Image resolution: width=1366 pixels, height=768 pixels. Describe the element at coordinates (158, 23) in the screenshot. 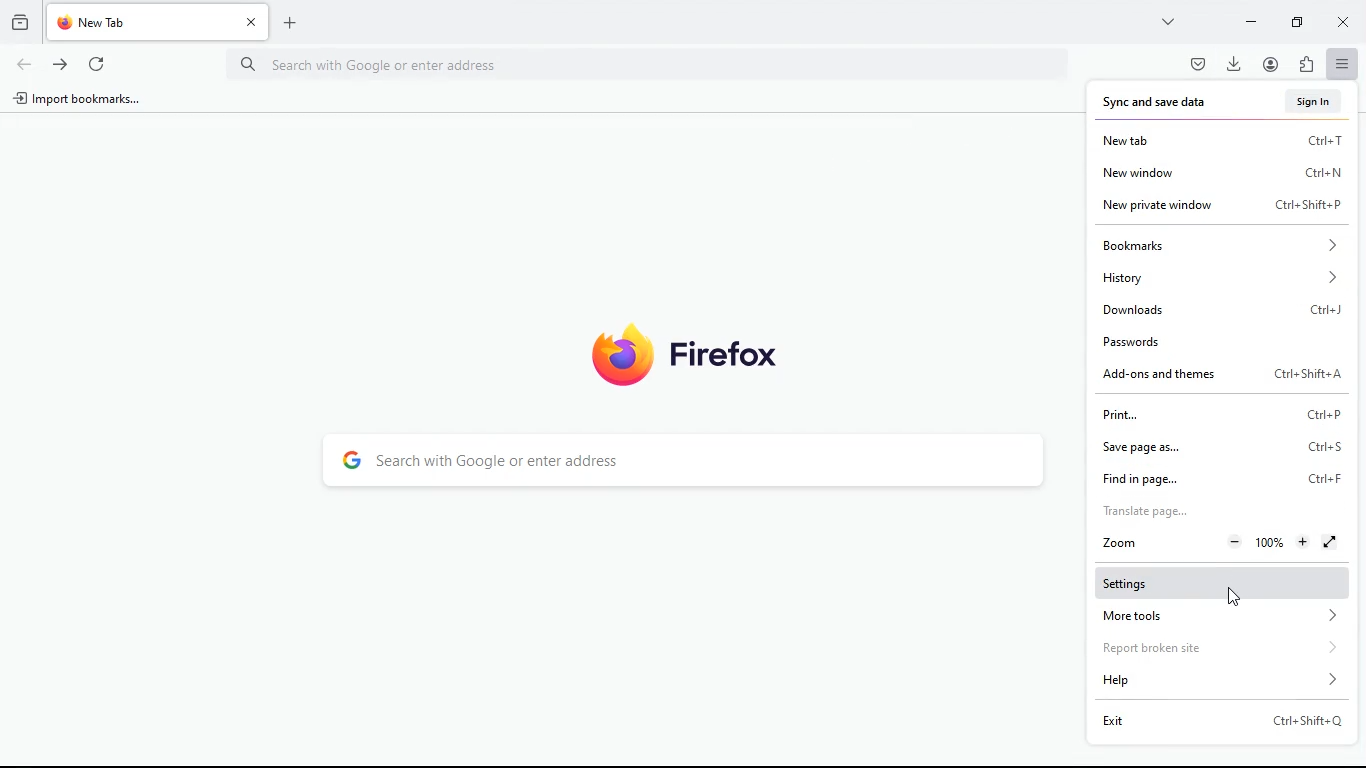

I see `tab` at that location.